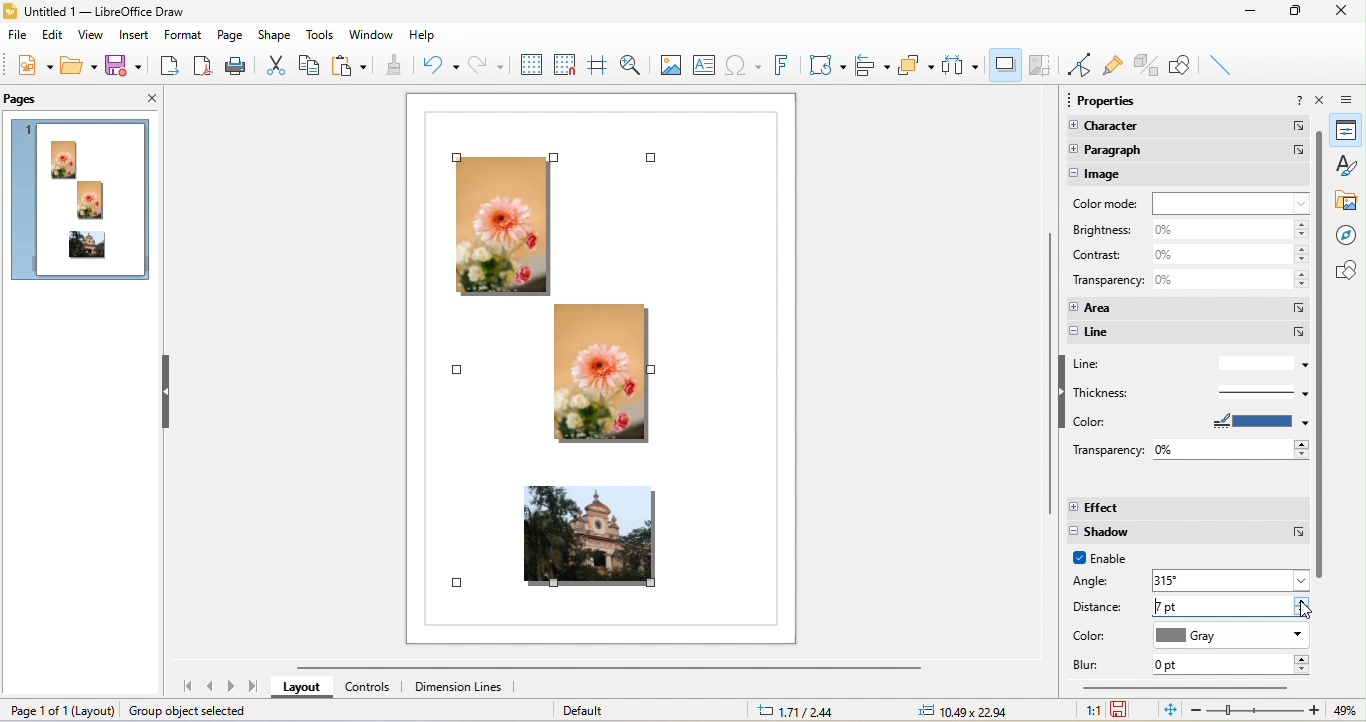 Image resolution: width=1366 pixels, height=722 pixels. I want to click on group object selected, so click(198, 711).